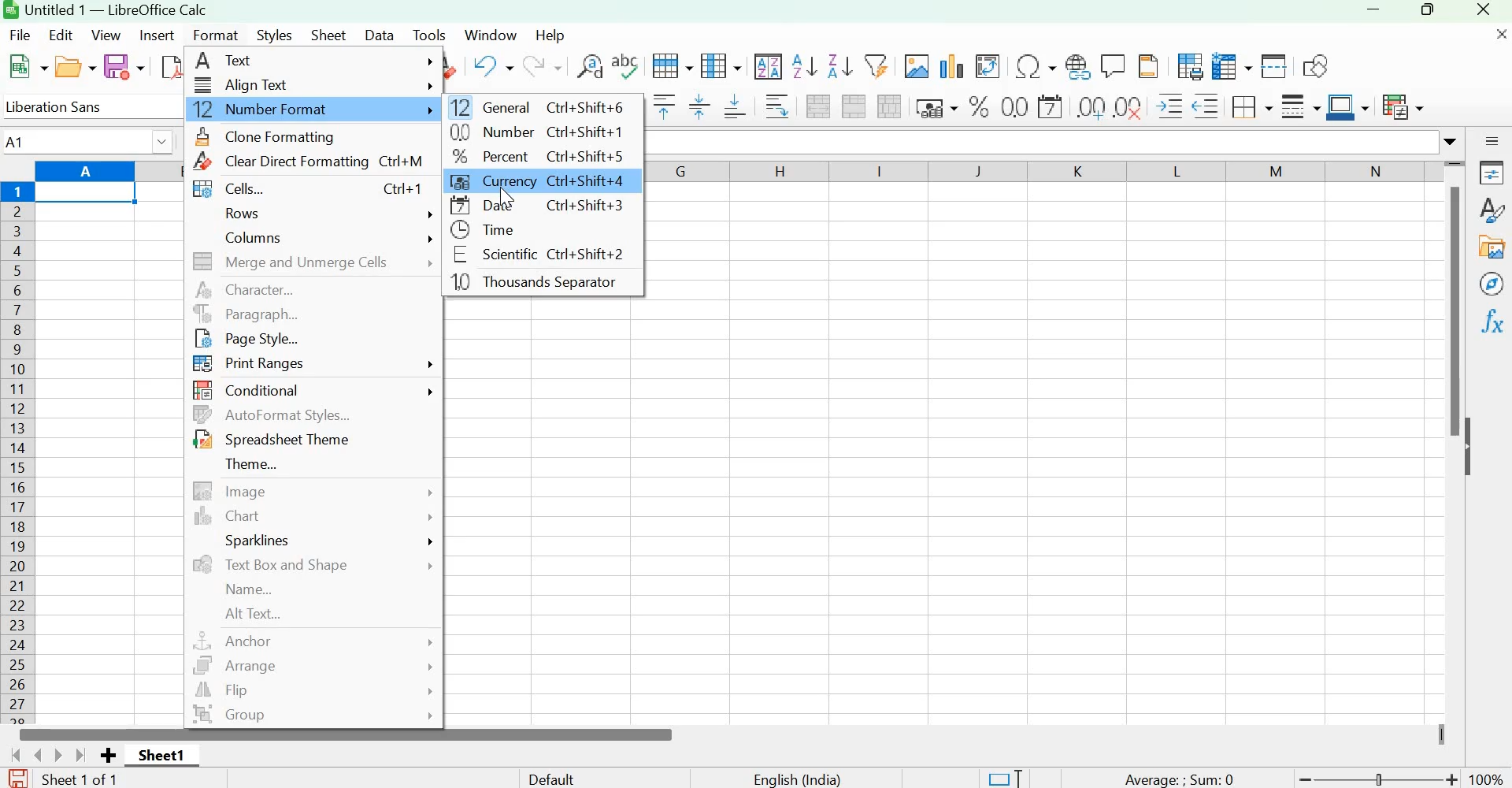  I want to click on Spelling, so click(626, 65).